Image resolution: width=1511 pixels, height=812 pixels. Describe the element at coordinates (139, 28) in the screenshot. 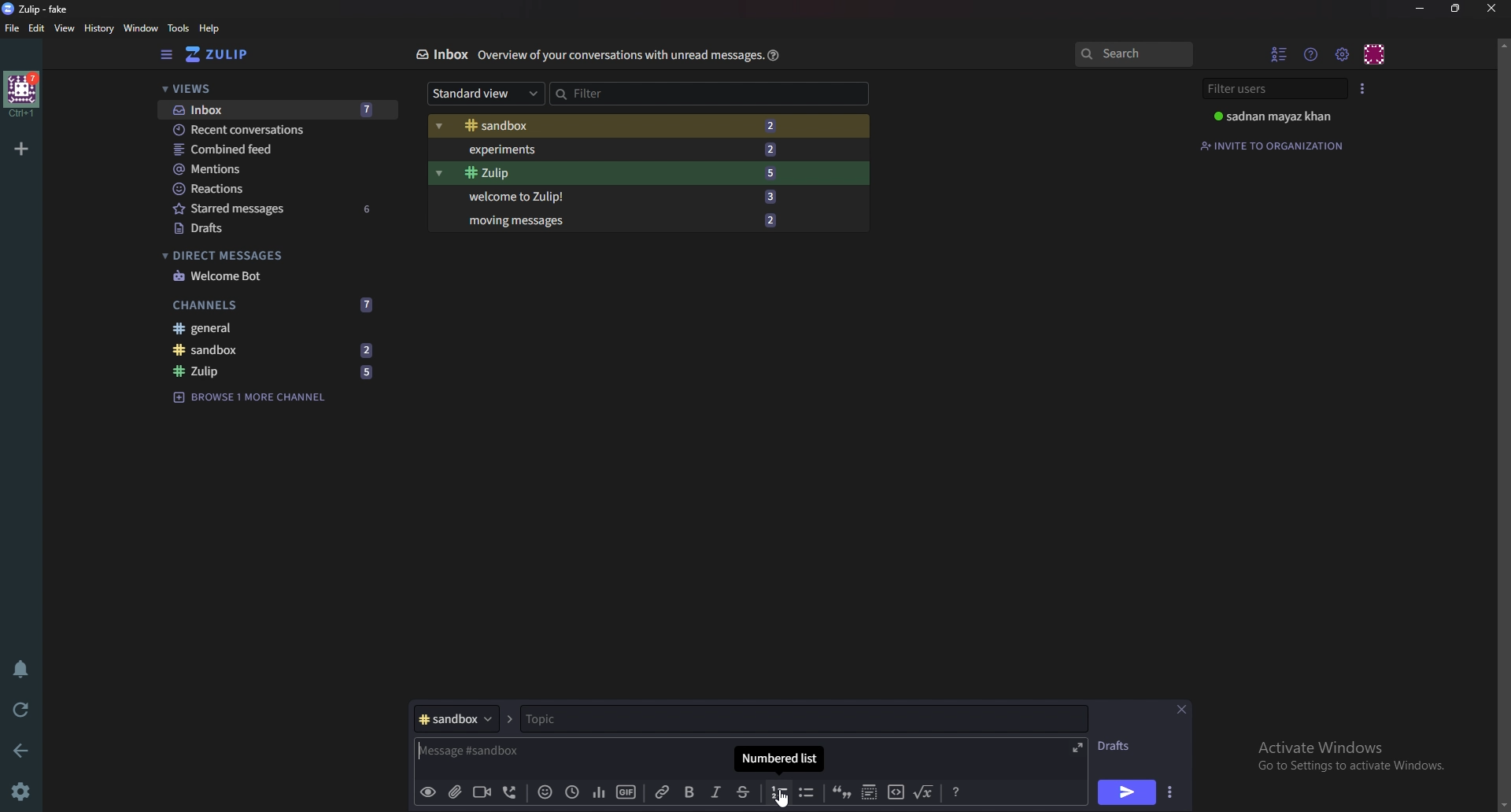

I see `Window` at that location.